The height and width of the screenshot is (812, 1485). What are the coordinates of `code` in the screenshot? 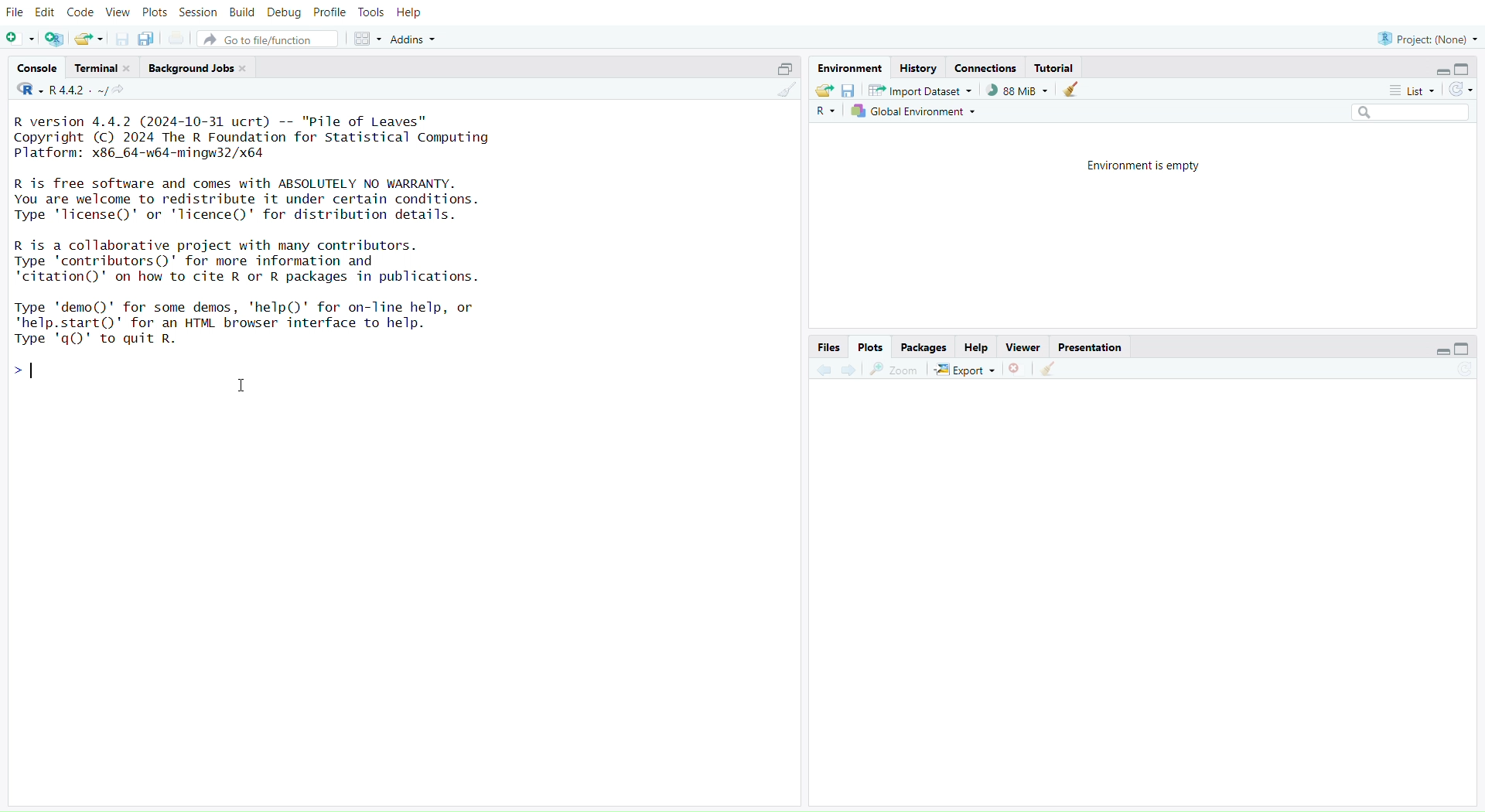 It's located at (81, 15).